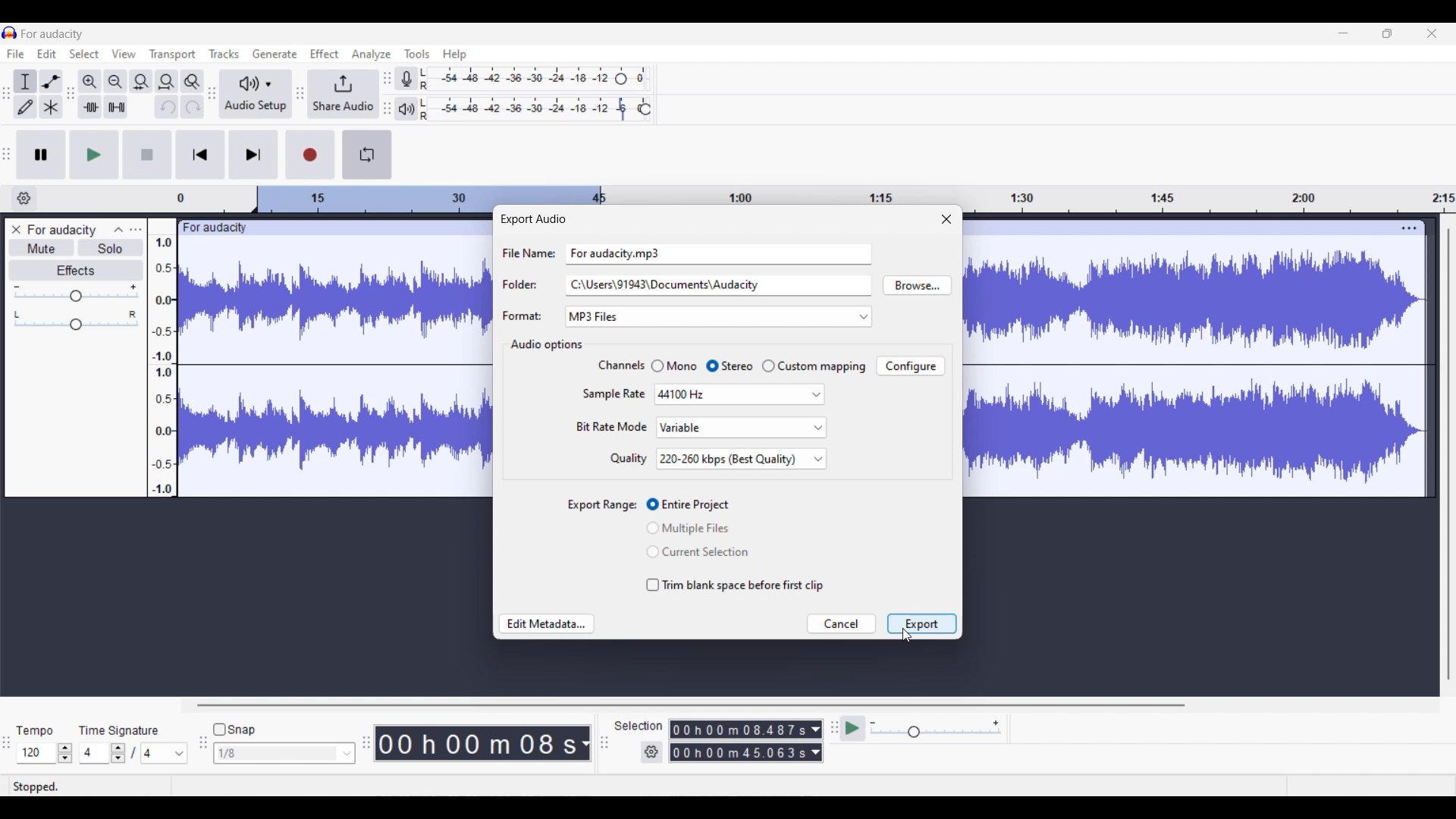  What do you see at coordinates (645, 109) in the screenshot?
I see `Header to change playback speed` at bounding box center [645, 109].